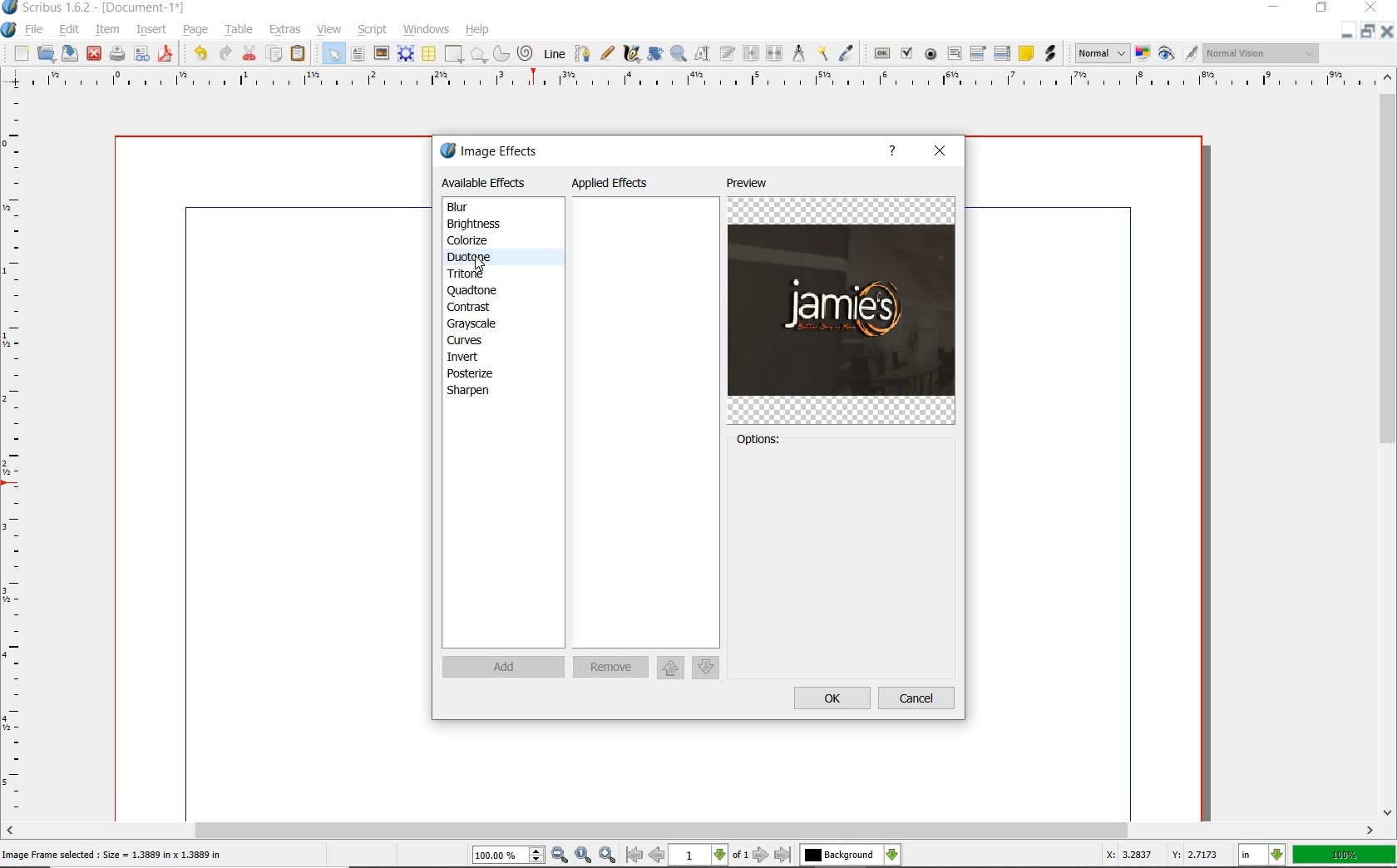 This screenshot has width=1397, height=868. What do you see at coordinates (656, 54) in the screenshot?
I see `rotate item` at bounding box center [656, 54].